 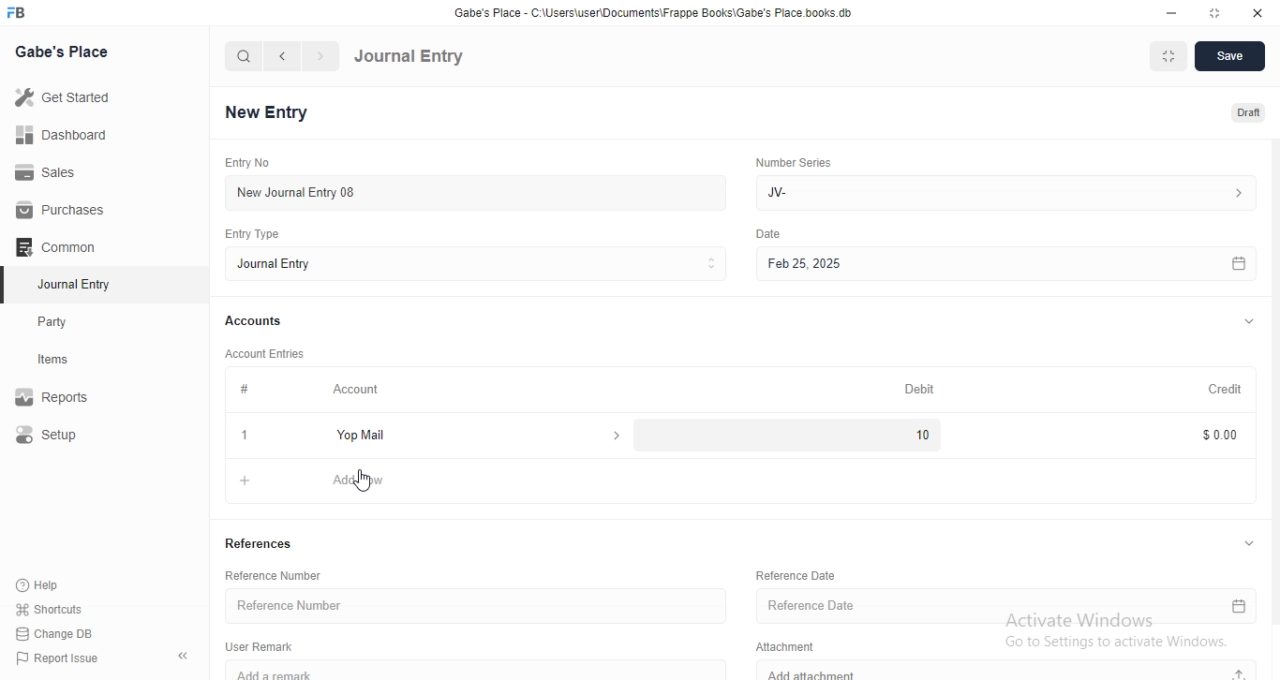 I want to click on #, so click(x=243, y=390).